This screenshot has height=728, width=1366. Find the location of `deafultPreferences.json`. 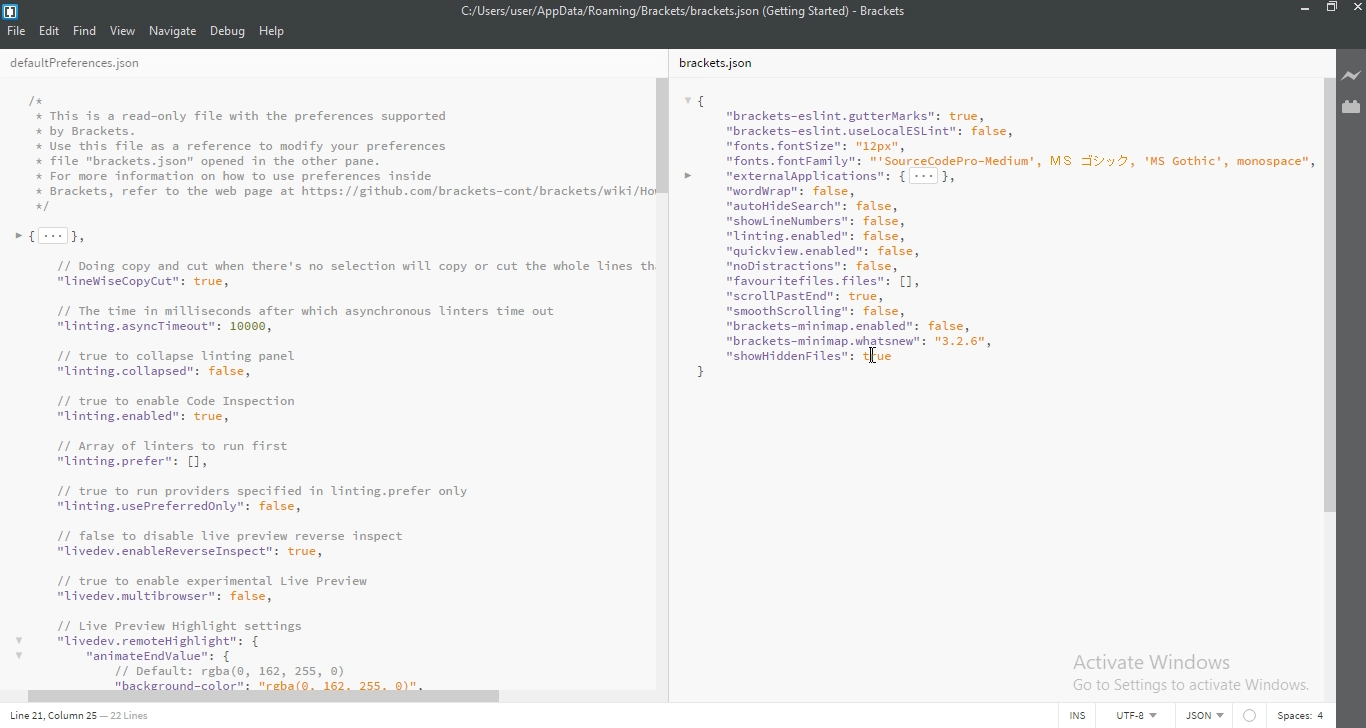

deafultPreferences.json is located at coordinates (76, 63).